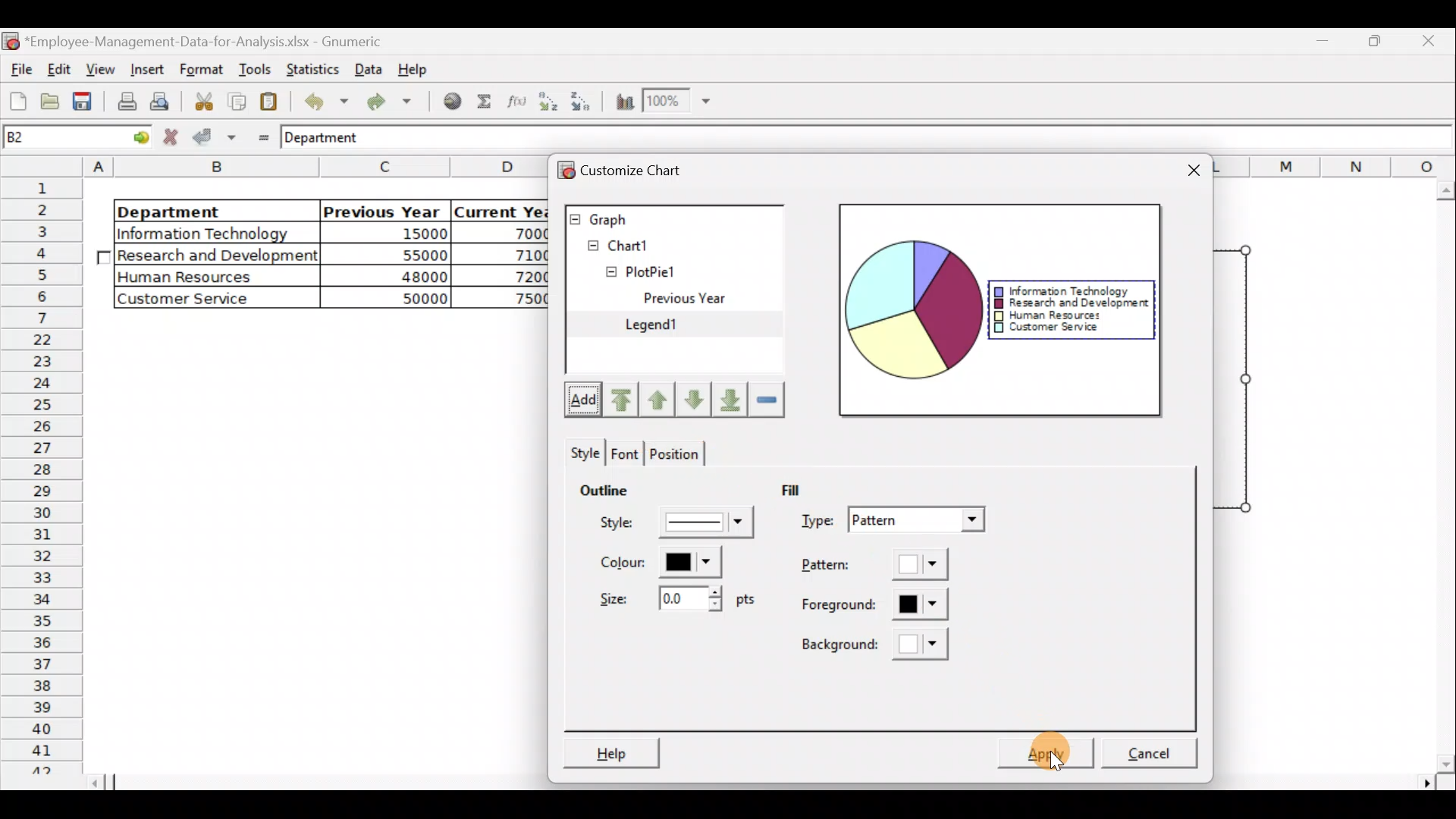 This screenshot has height=819, width=1456. Describe the element at coordinates (51, 139) in the screenshot. I see `Cell name B2` at that location.